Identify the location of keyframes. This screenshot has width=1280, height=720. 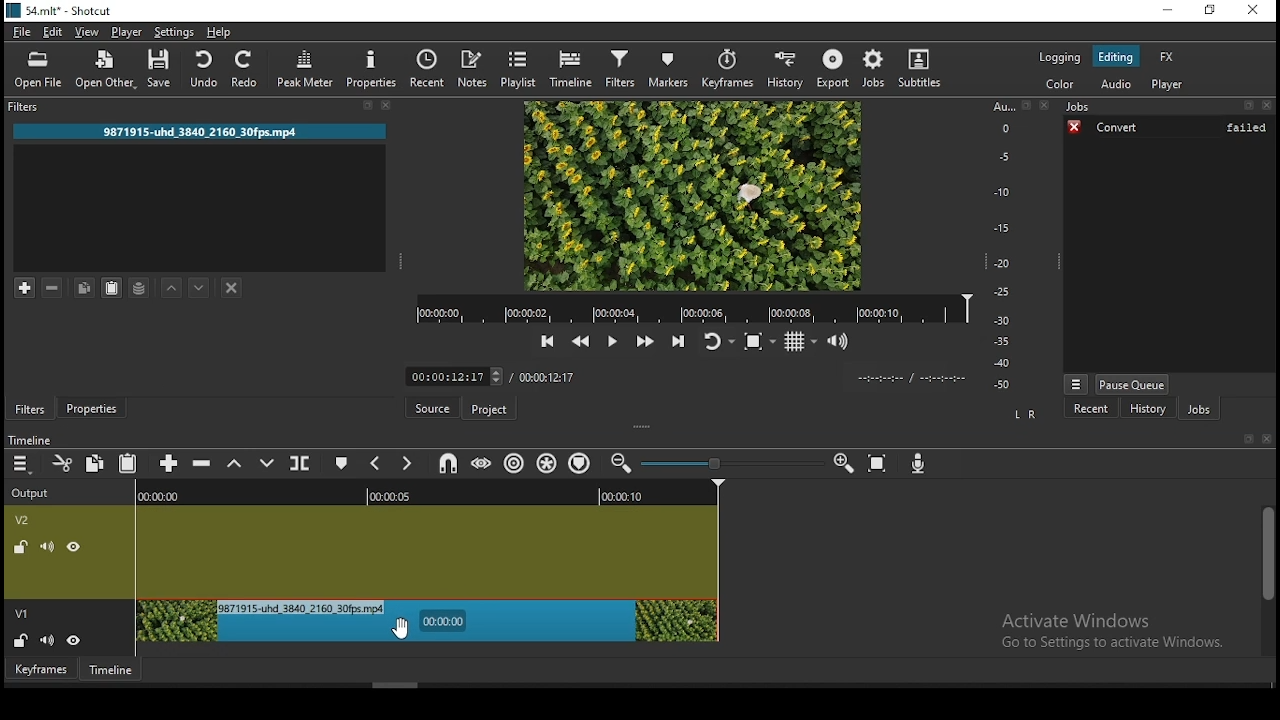
(730, 68).